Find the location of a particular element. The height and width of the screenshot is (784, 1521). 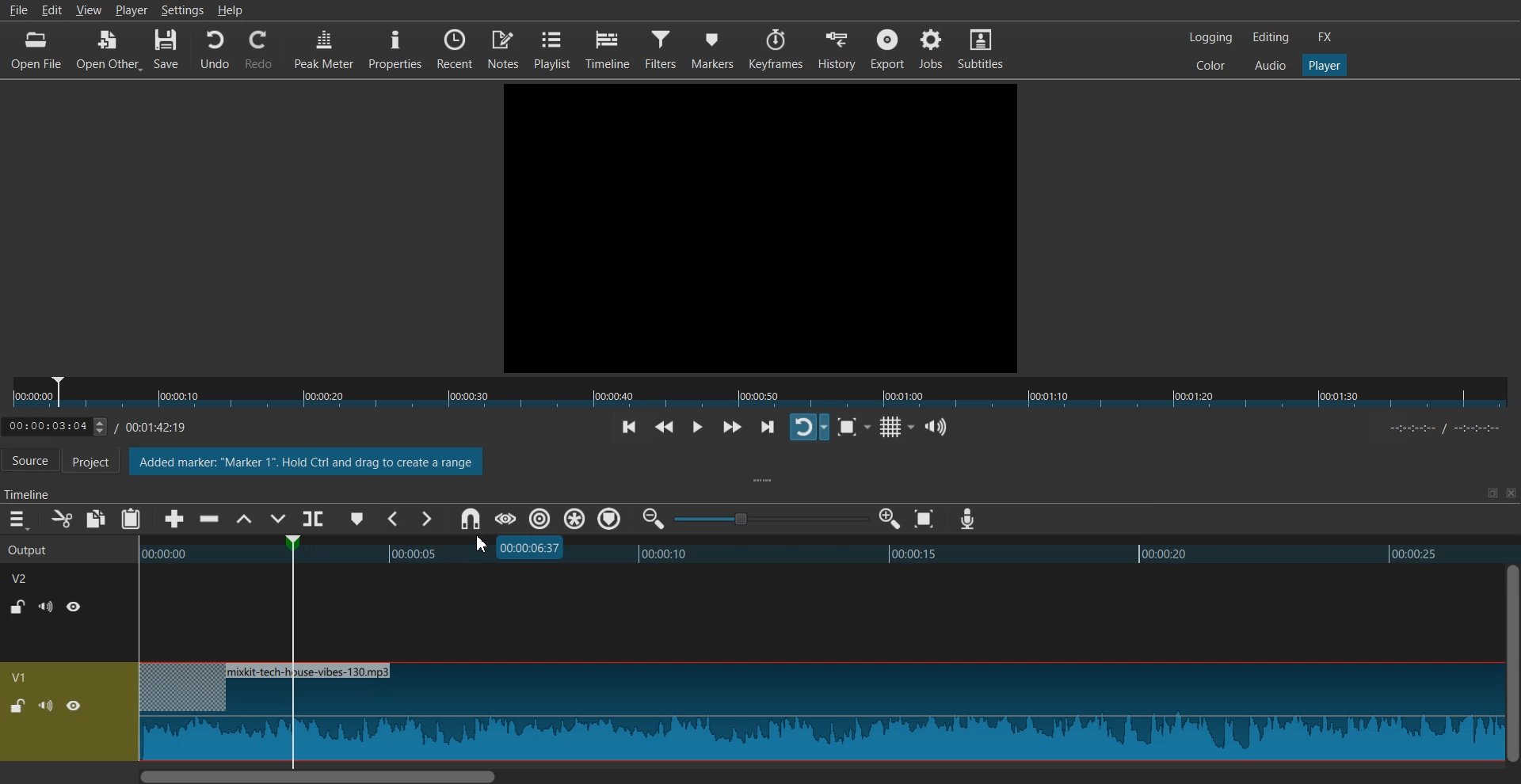

V1 is located at coordinates (21, 677).